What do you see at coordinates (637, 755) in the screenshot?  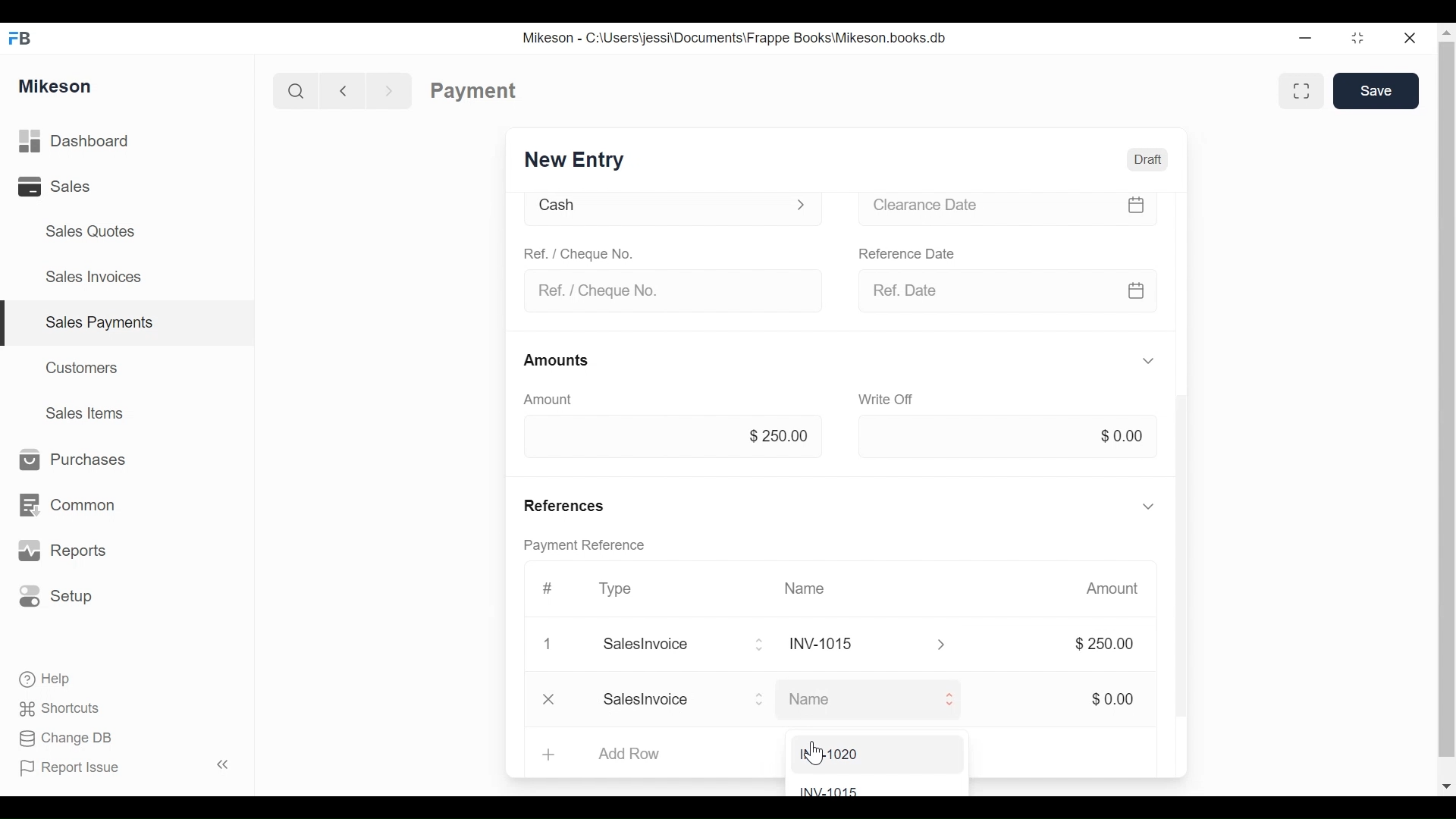 I see `Add Row` at bounding box center [637, 755].